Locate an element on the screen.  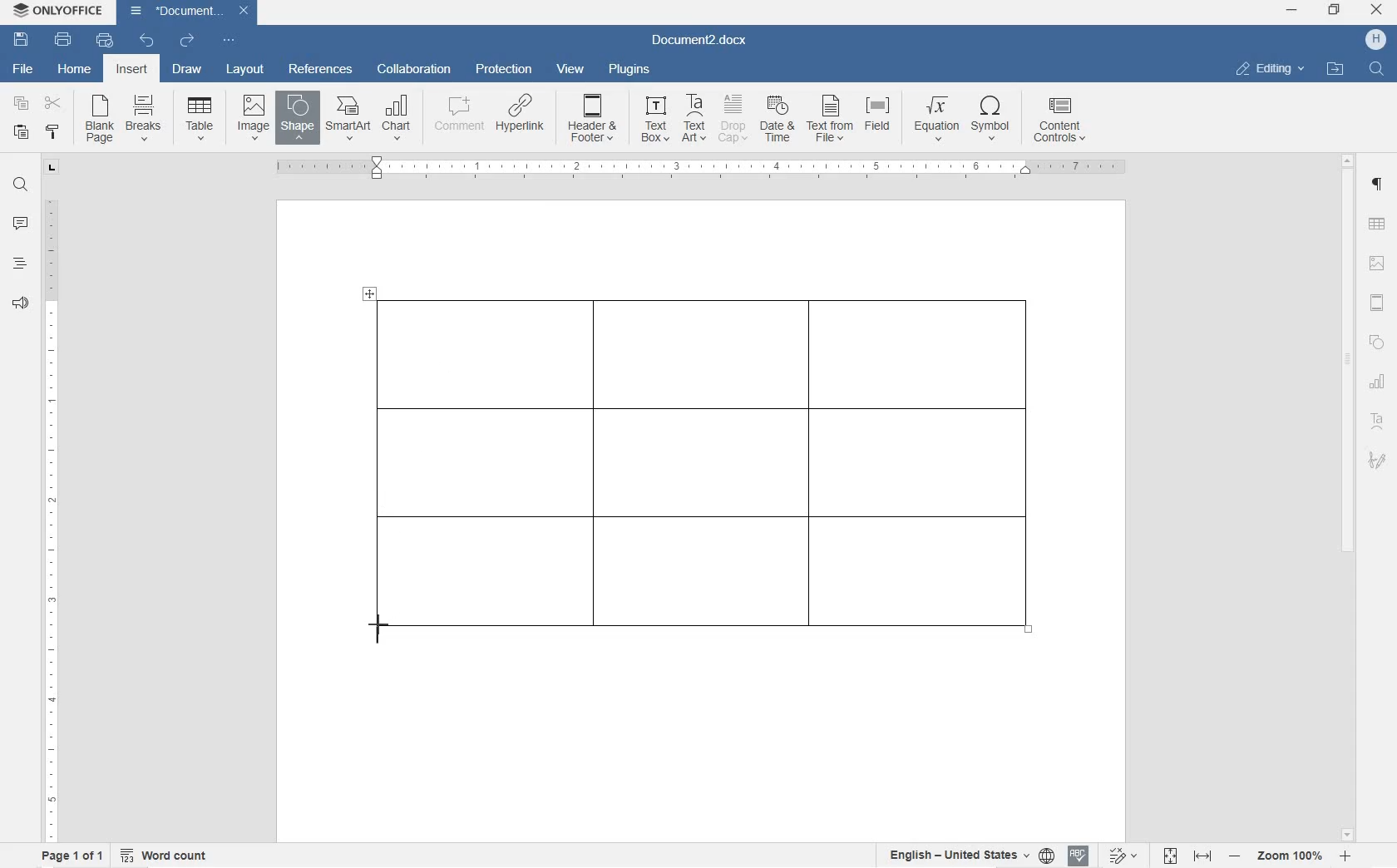
Document3.docx is located at coordinates (704, 42).